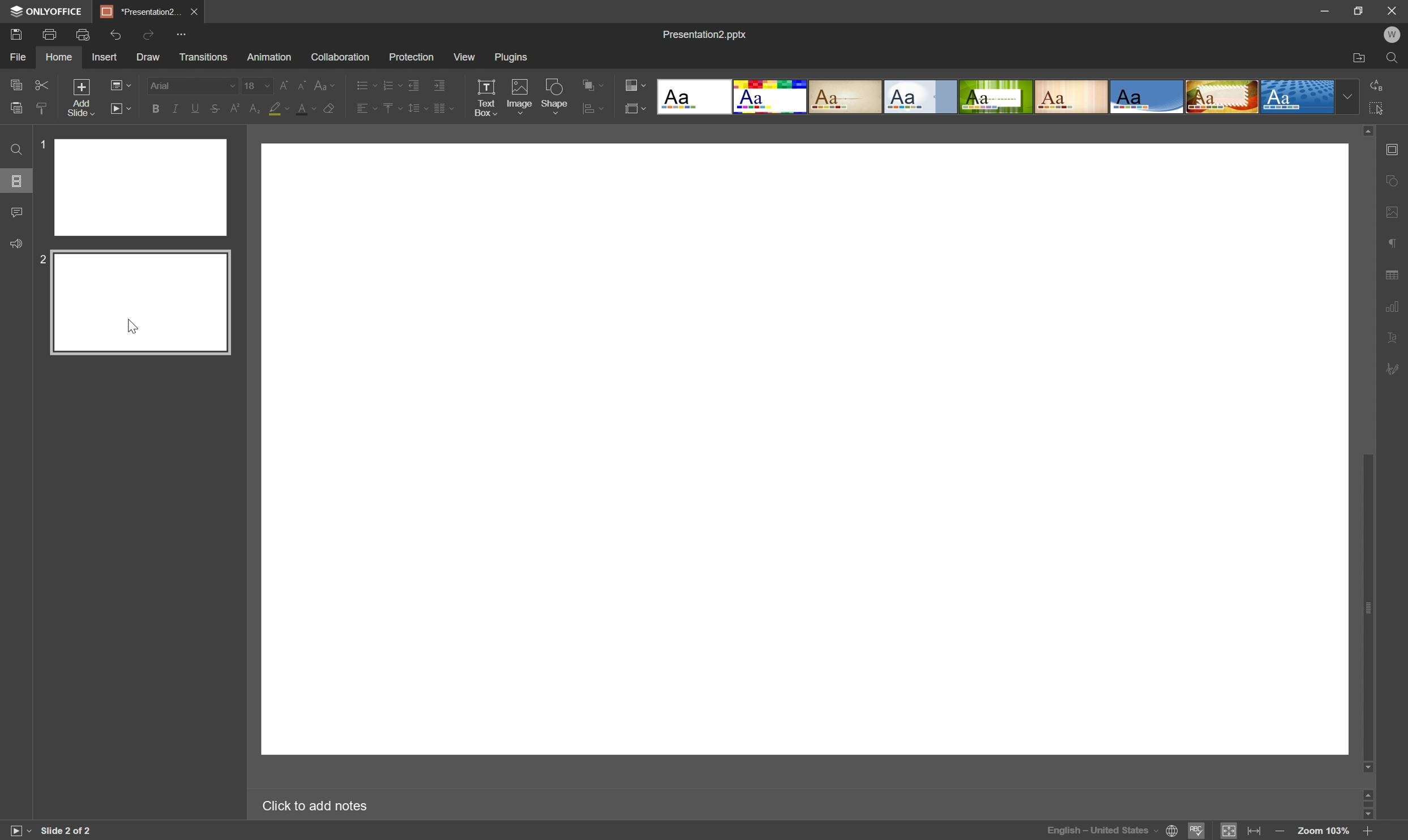 The image size is (1408, 840). Describe the element at coordinates (40, 259) in the screenshot. I see `2` at that location.